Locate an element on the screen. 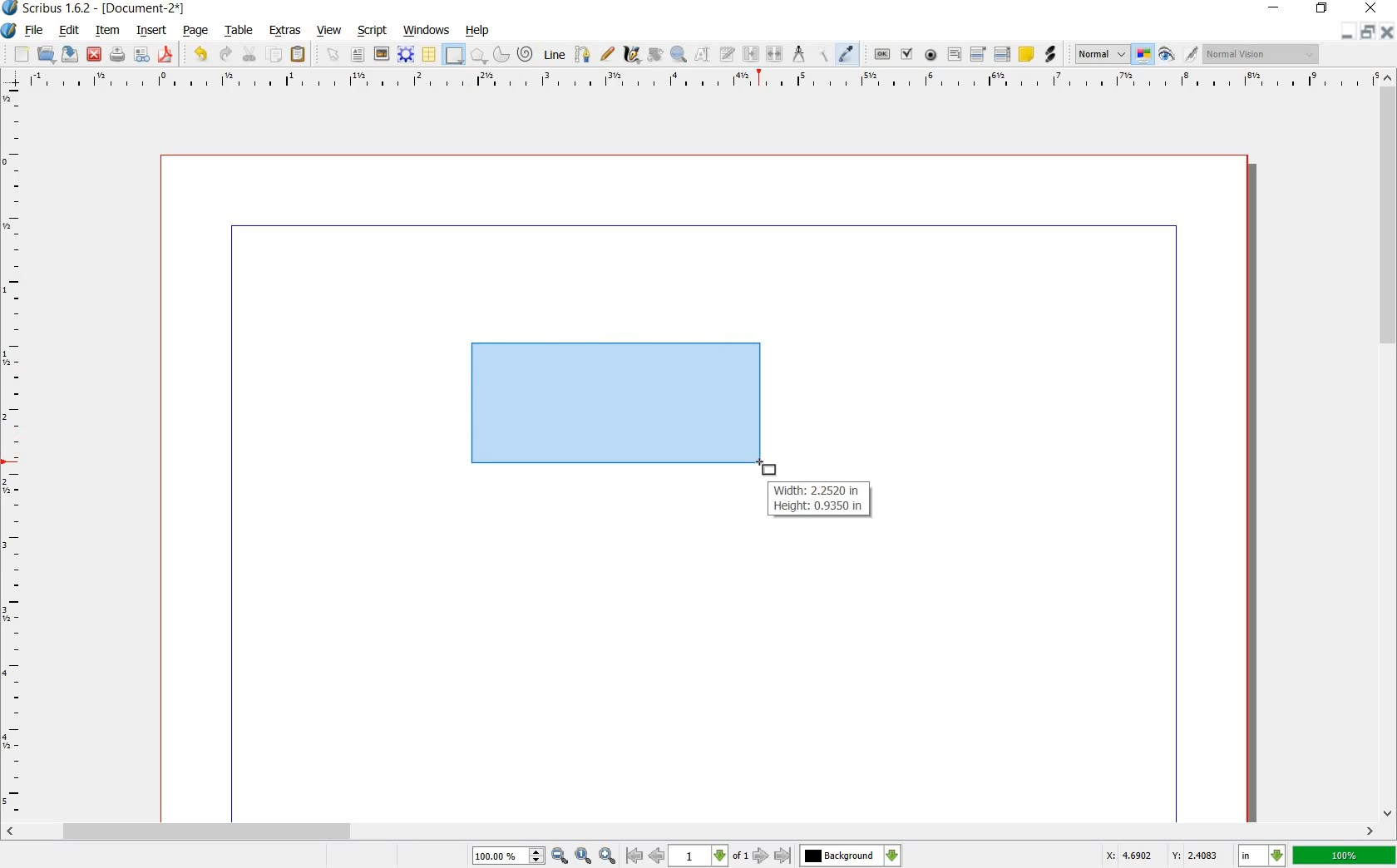 This screenshot has width=1397, height=868. PRINT is located at coordinates (117, 55).